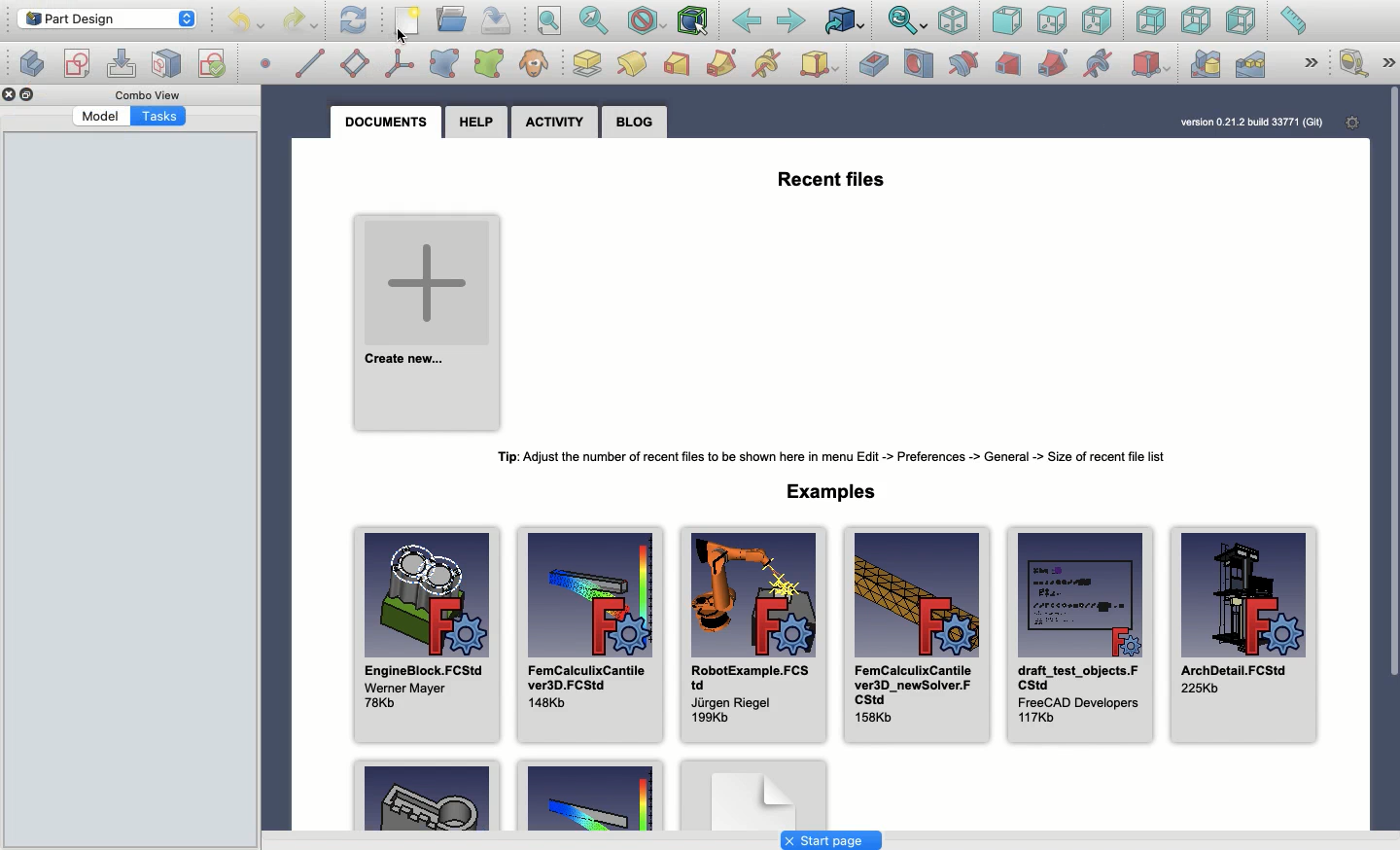  What do you see at coordinates (79, 64) in the screenshot?
I see `Create body` at bounding box center [79, 64].